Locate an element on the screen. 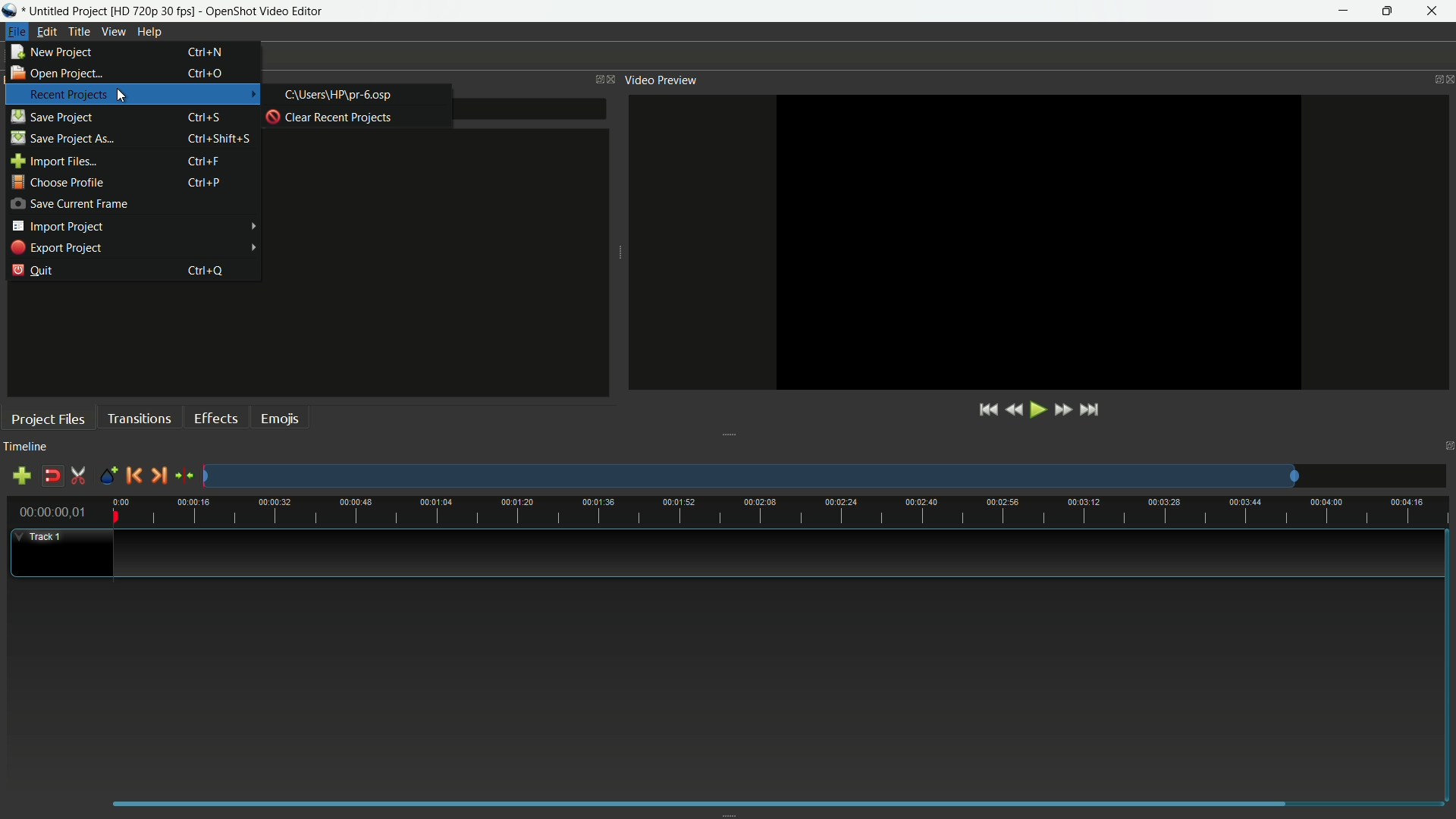  close app is located at coordinates (1434, 11).